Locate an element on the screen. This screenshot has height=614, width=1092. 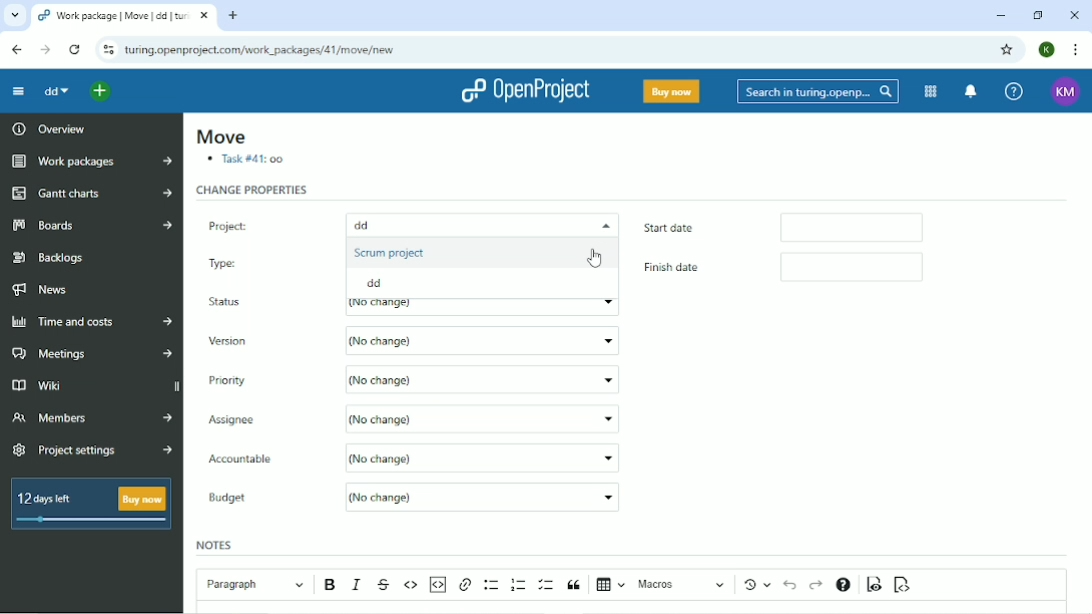
Vertical scrollbar is located at coordinates (1083, 307).